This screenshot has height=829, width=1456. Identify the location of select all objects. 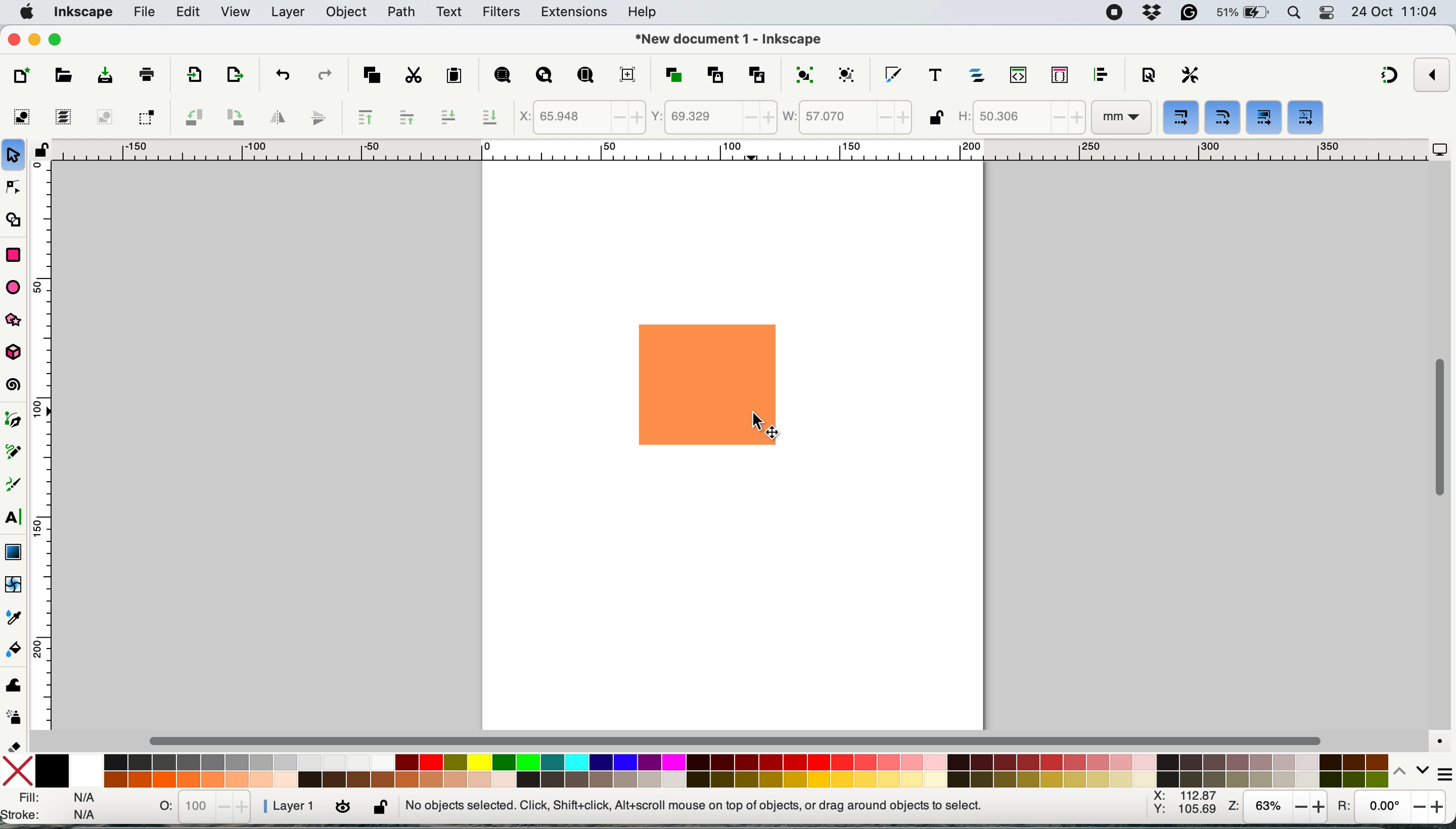
(25, 117).